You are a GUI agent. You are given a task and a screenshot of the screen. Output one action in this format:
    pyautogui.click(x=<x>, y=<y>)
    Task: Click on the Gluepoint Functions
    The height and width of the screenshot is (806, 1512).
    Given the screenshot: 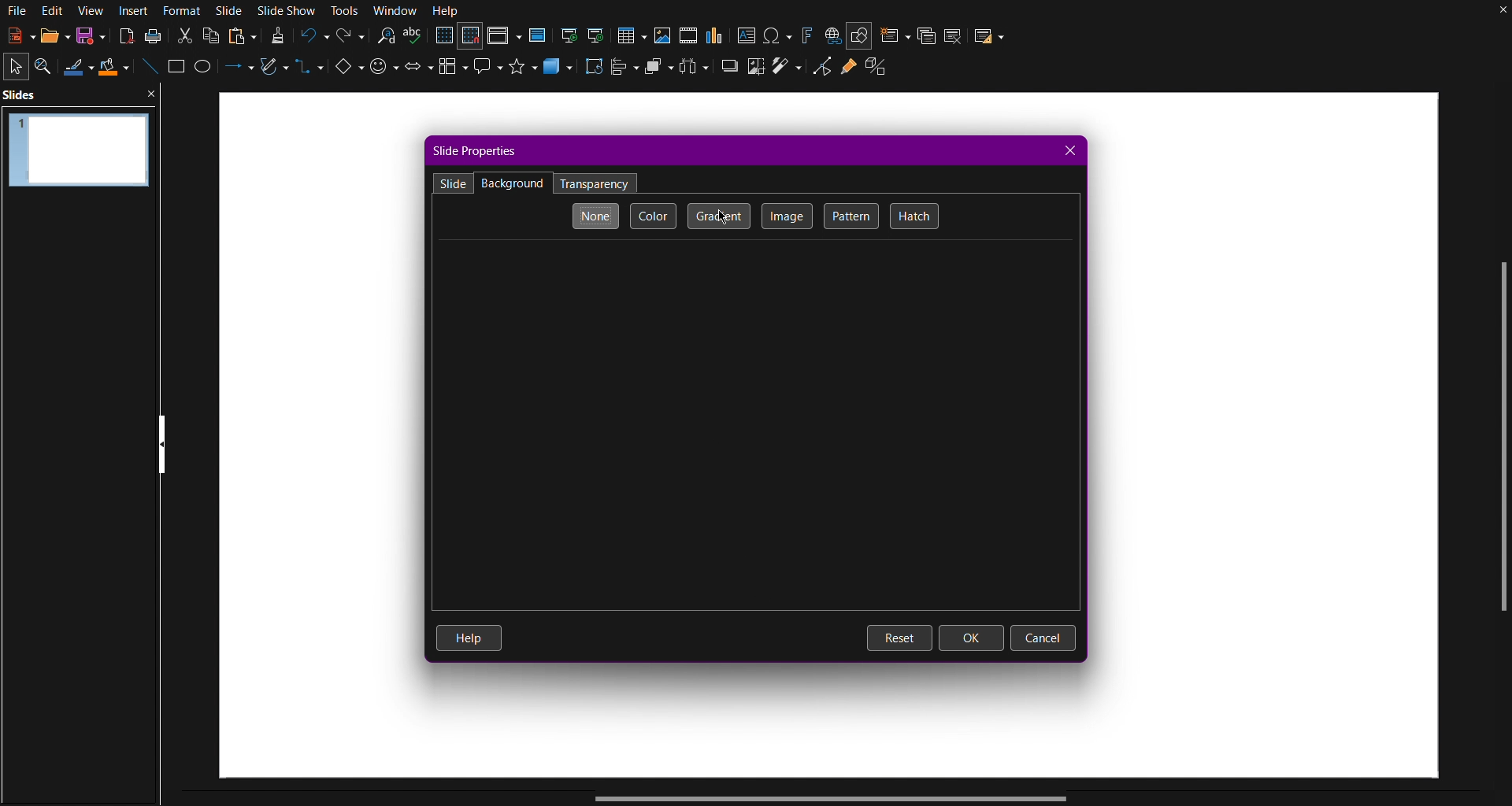 What is the action you would take?
    pyautogui.click(x=848, y=72)
    